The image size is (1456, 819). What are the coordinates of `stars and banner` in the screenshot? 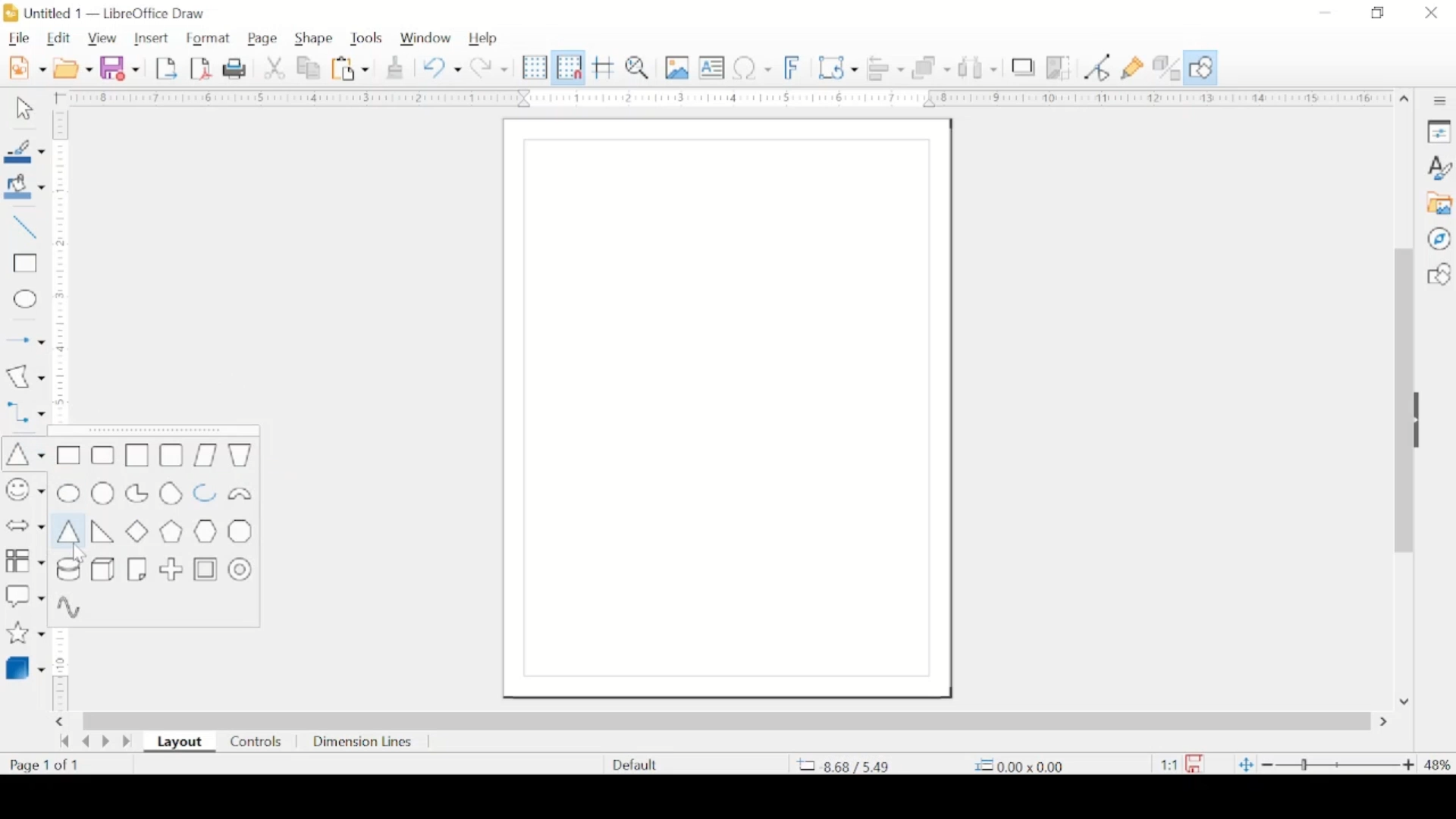 It's located at (24, 632).